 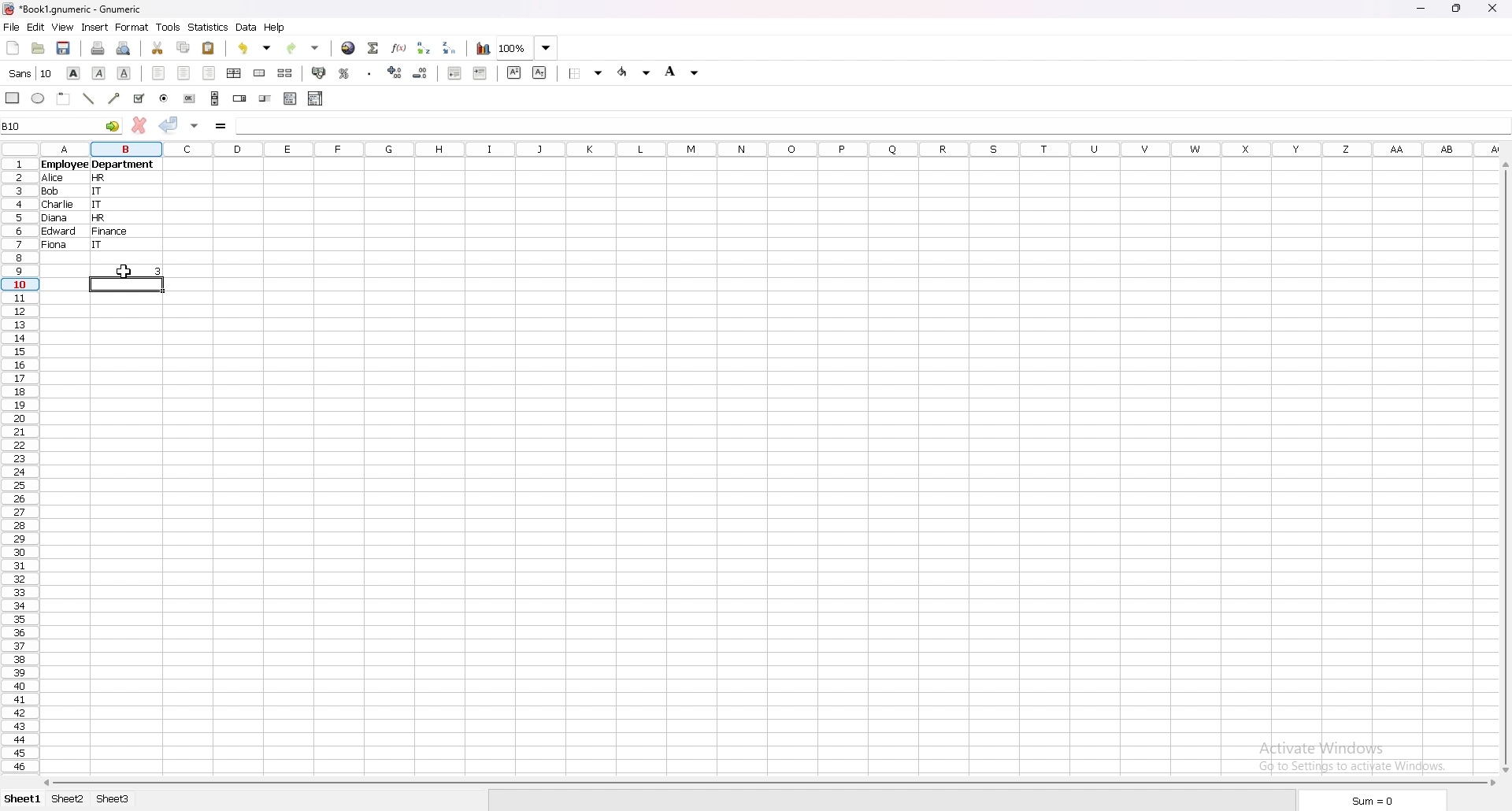 I want to click on cancel changes, so click(x=139, y=125).